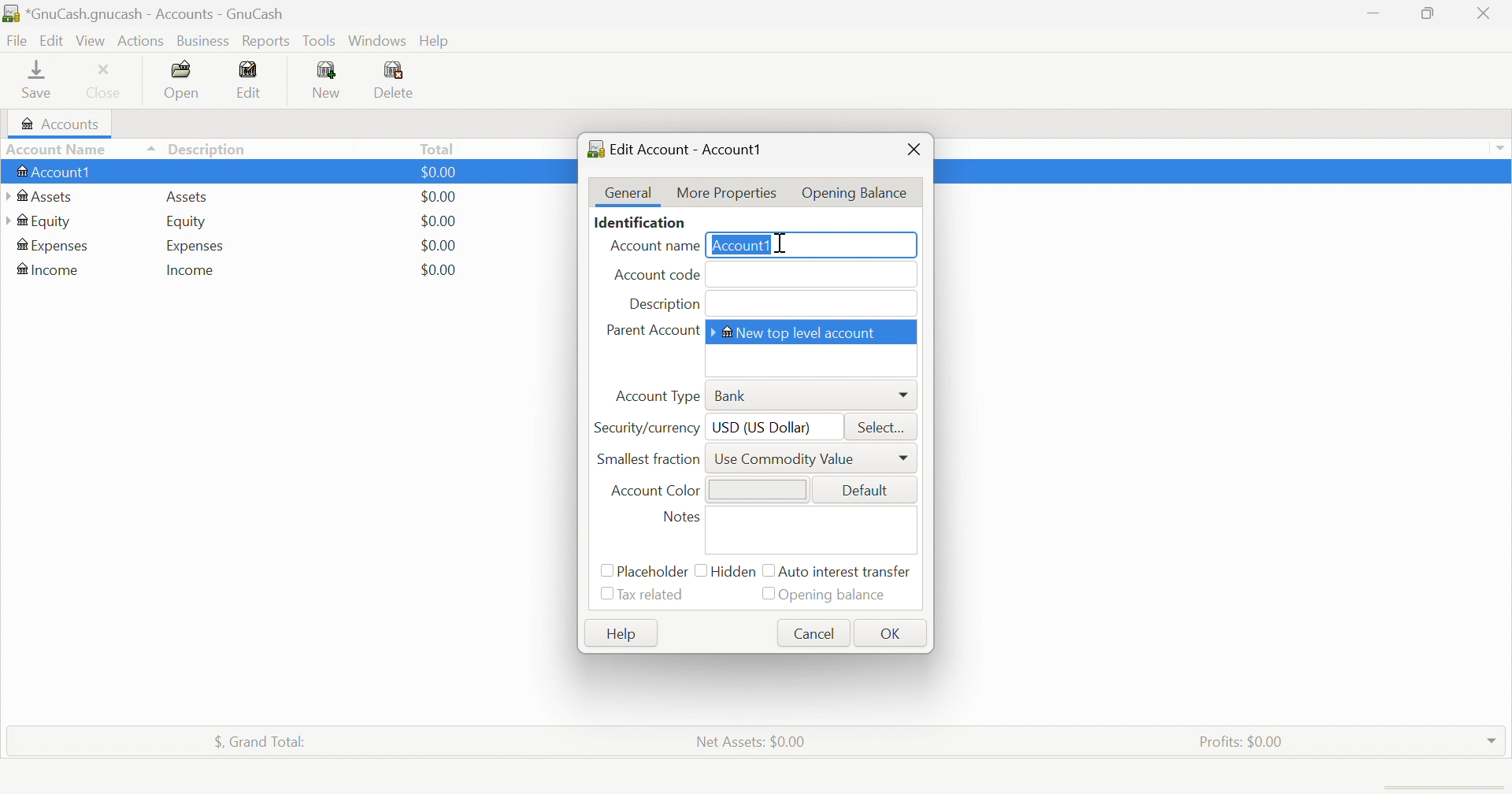 Image resolution: width=1512 pixels, height=794 pixels. What do you see at coordinates (682, 149) in the screenshot?
I see `Edit Account - Account1` at bounding box center [682, 149].